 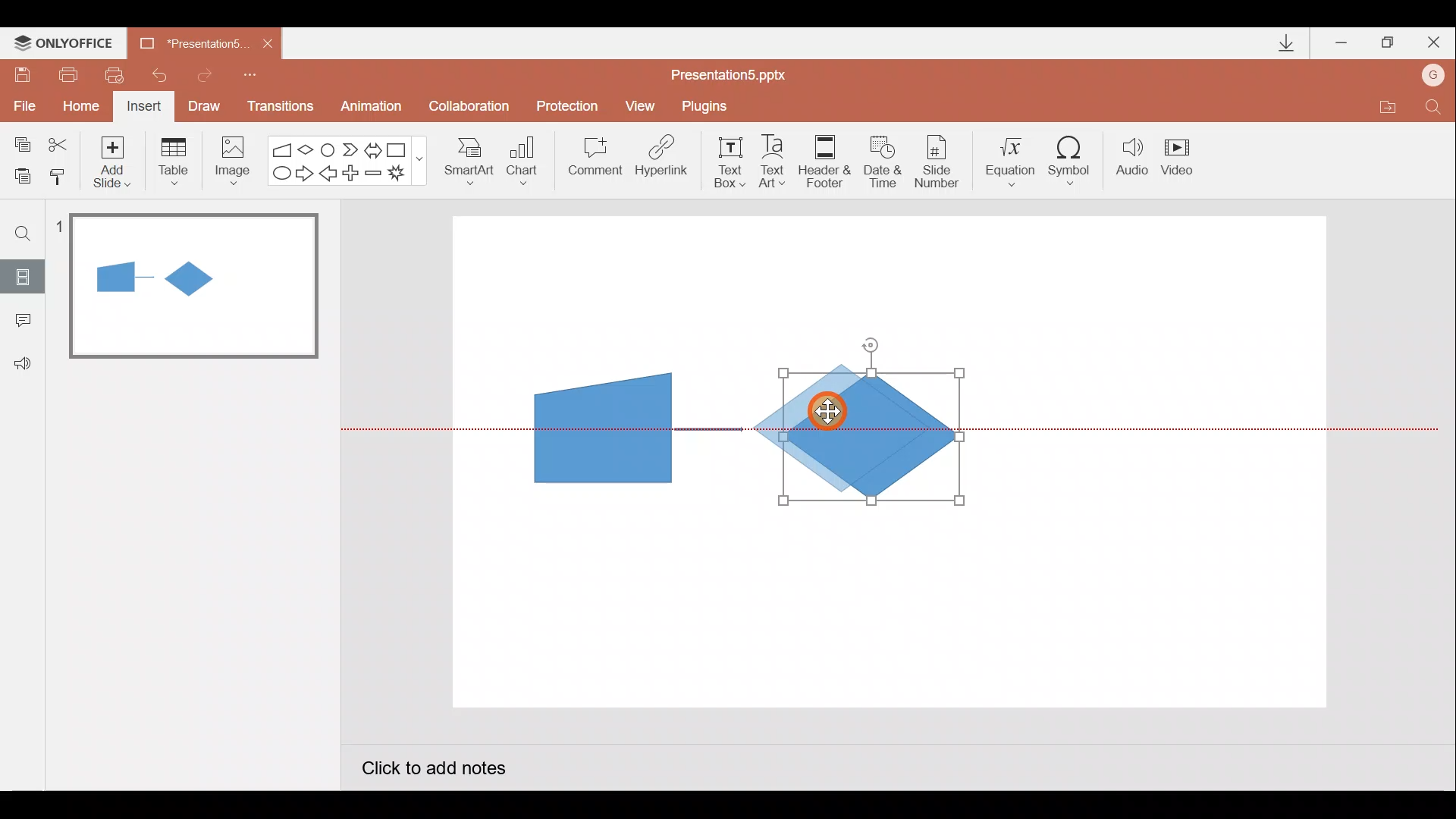 I want to click on Image, so click(x=228, y=160).